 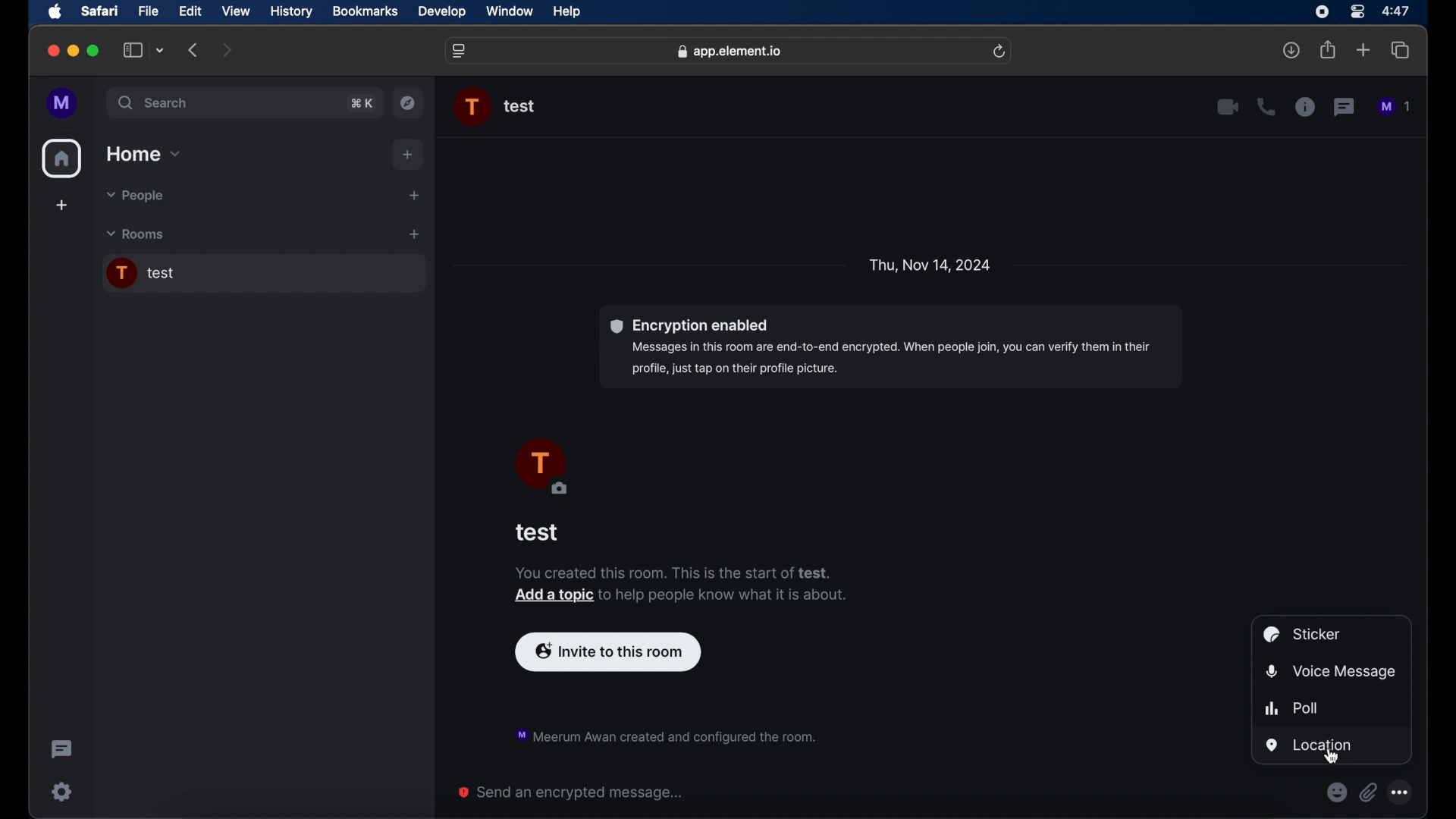 I want to click on notification, so click(x=664, y=734).